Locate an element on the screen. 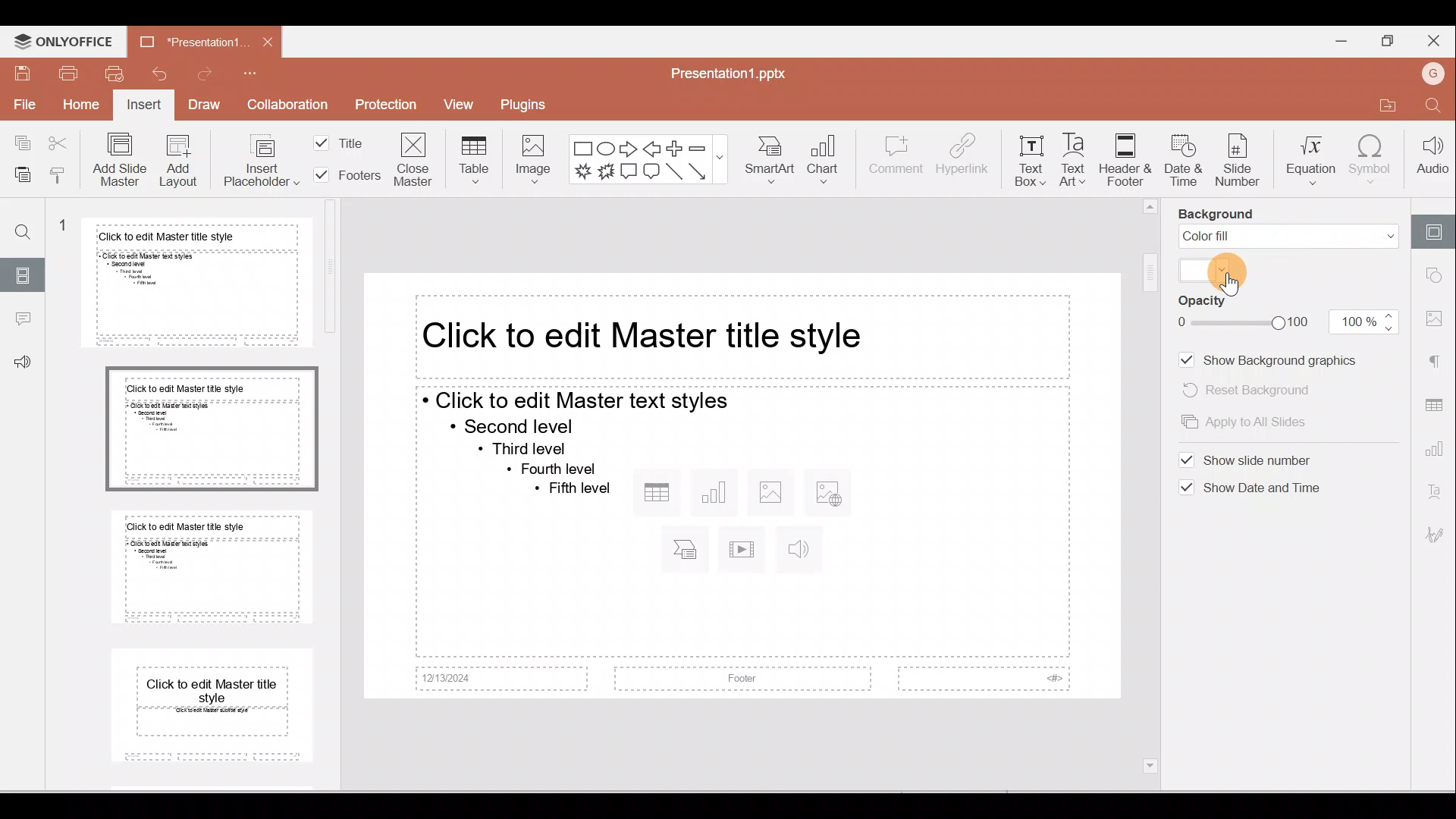 The height and width of the screenshot is (819, 1456). Date & time is located at coordinates (1184, 161).